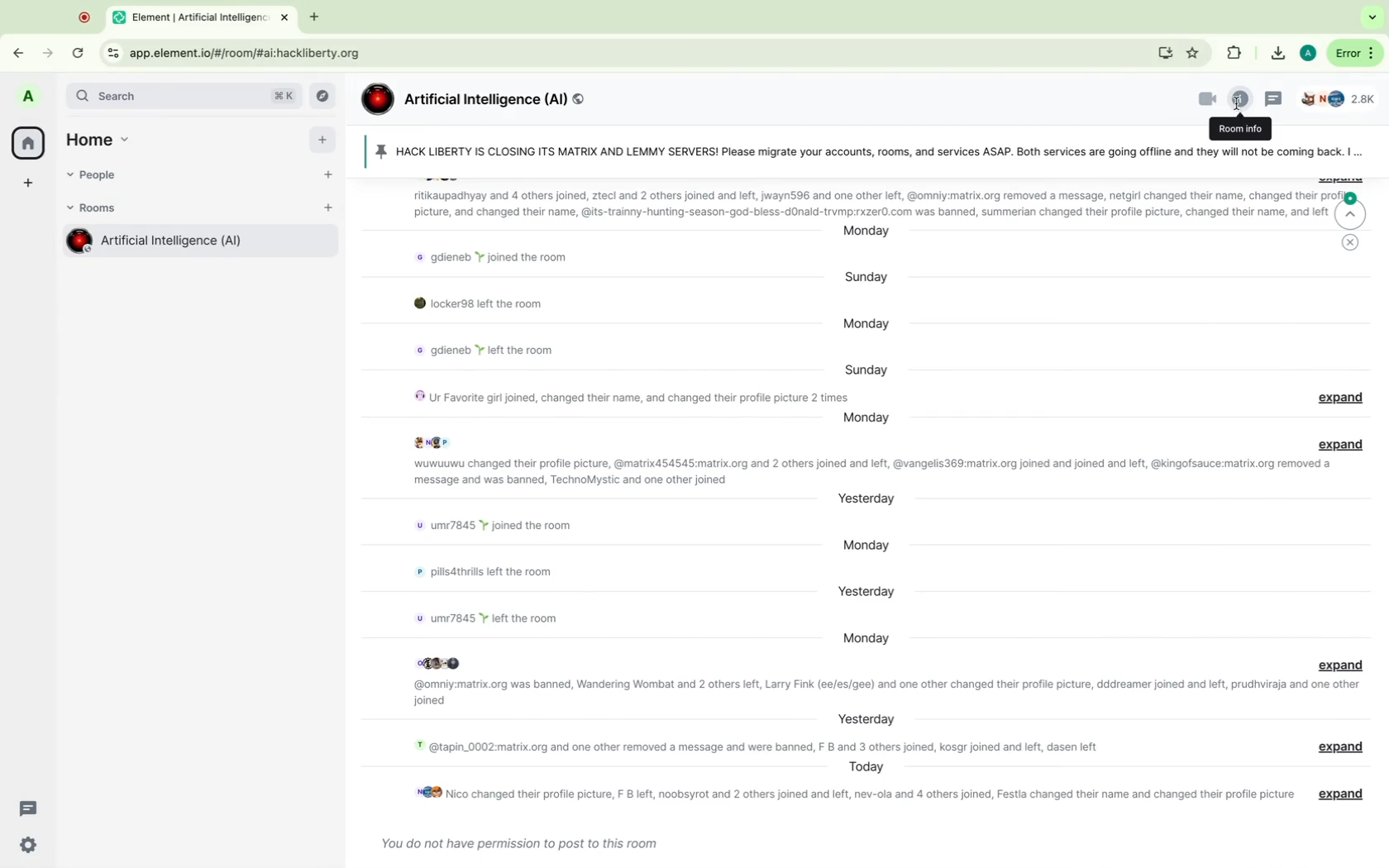 The image size is (1389, 868). I want to click on install element, so click(1166, 53).